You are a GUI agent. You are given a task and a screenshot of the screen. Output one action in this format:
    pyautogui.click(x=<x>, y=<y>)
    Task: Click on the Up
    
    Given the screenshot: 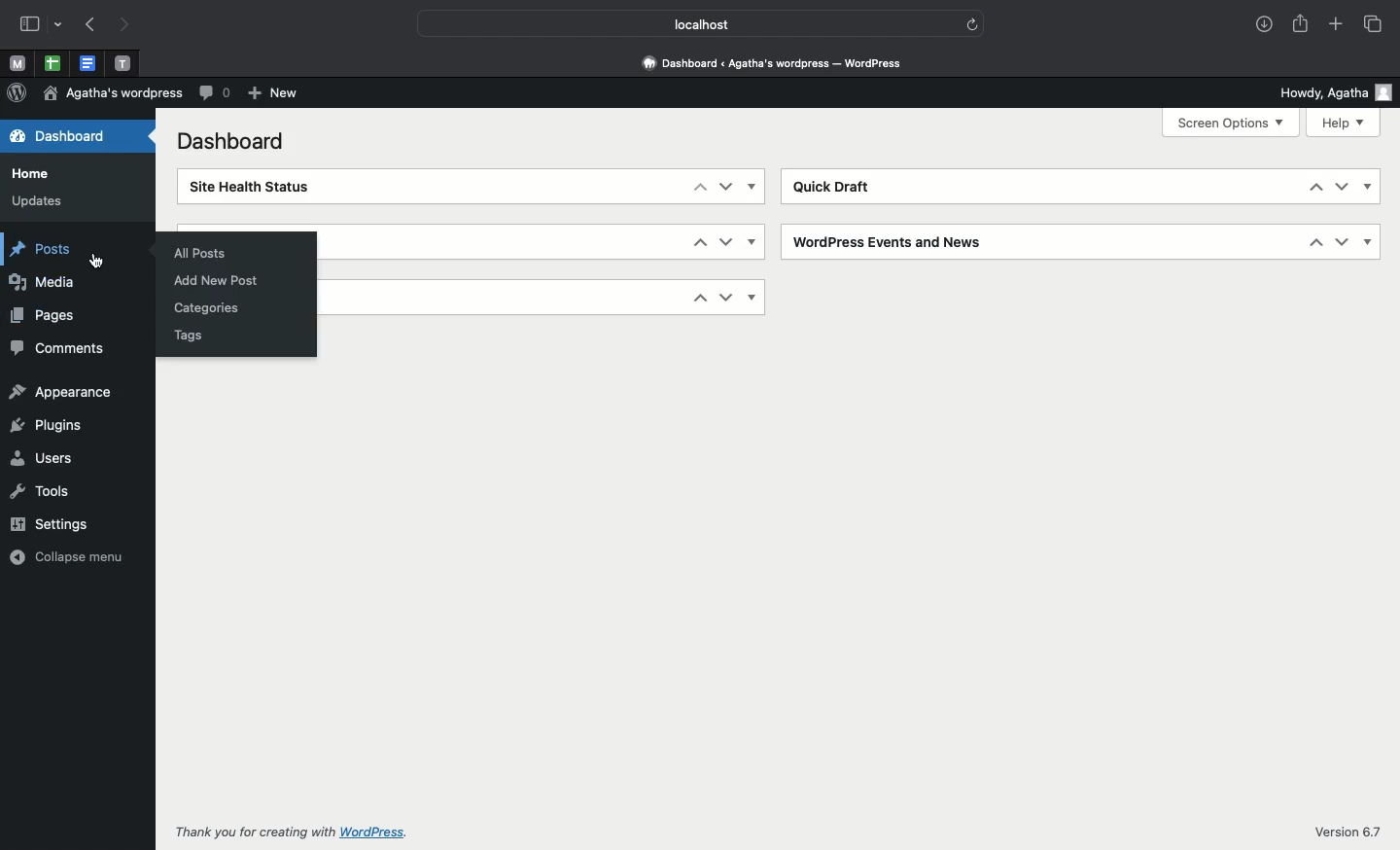 What is the action you would take?
    pyautogui.click(x=1310, y=244)
    